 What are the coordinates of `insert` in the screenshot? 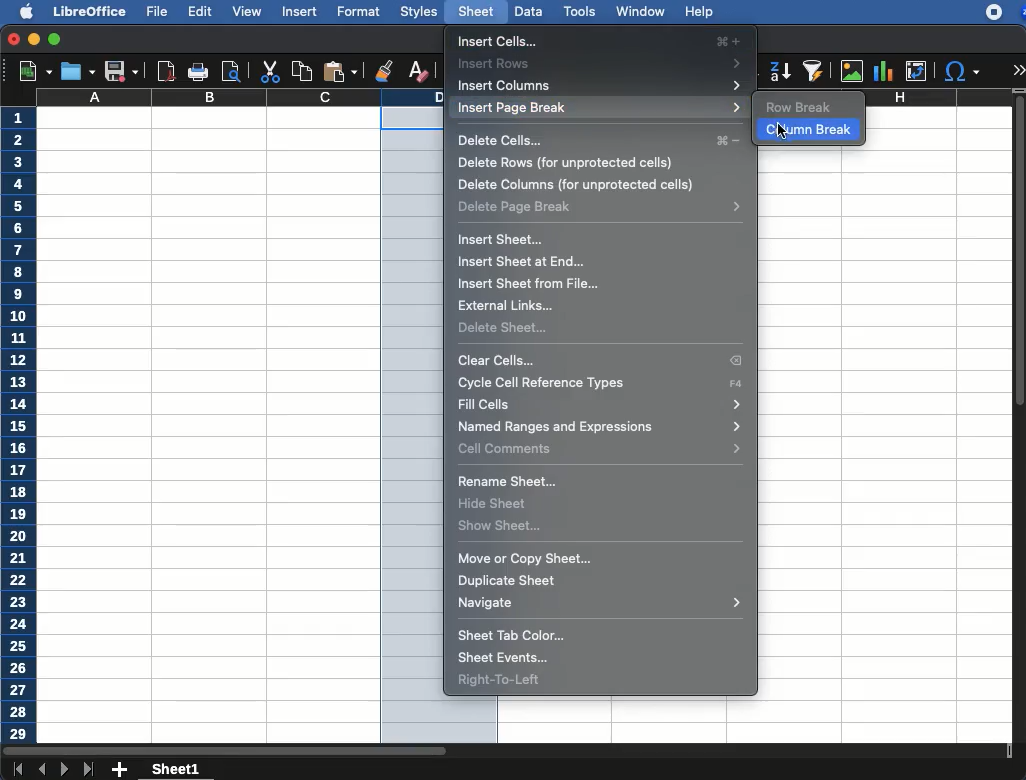 It's located at (299, 13).